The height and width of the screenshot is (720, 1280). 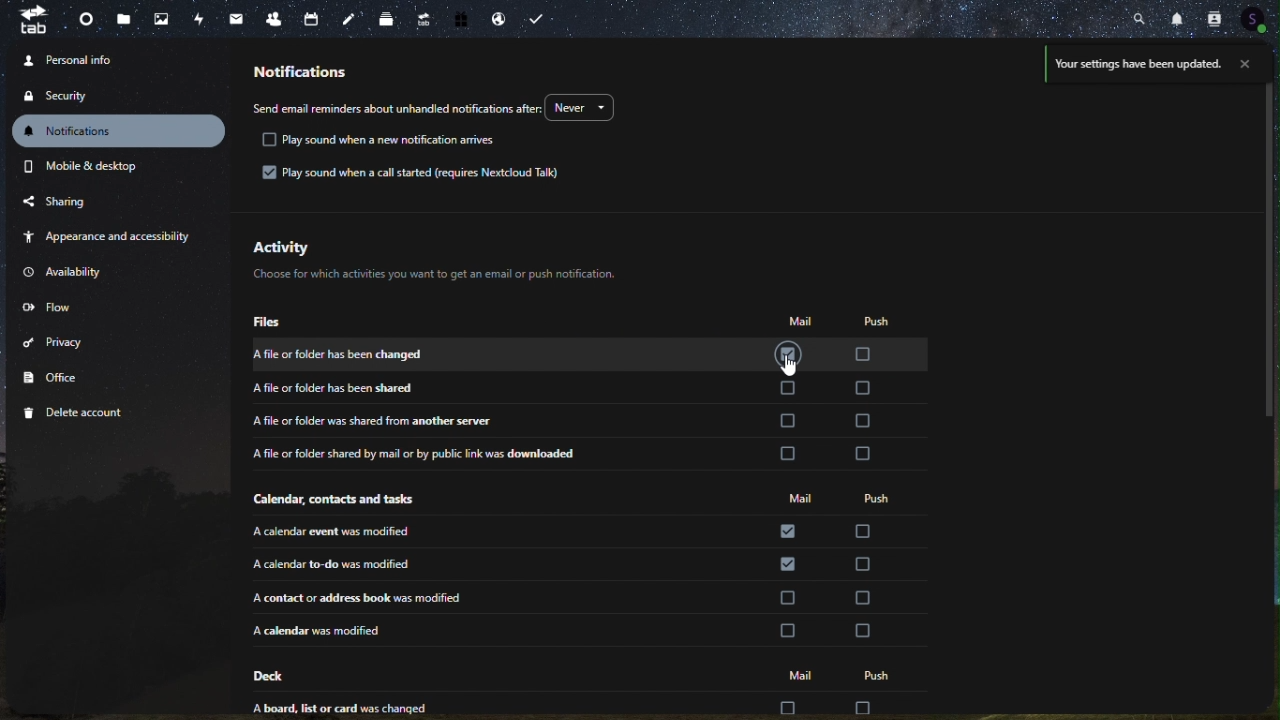 What do you see at coordinates (862, 420) in the screenshot?
I see `check box` at bounding box center [862, 420].